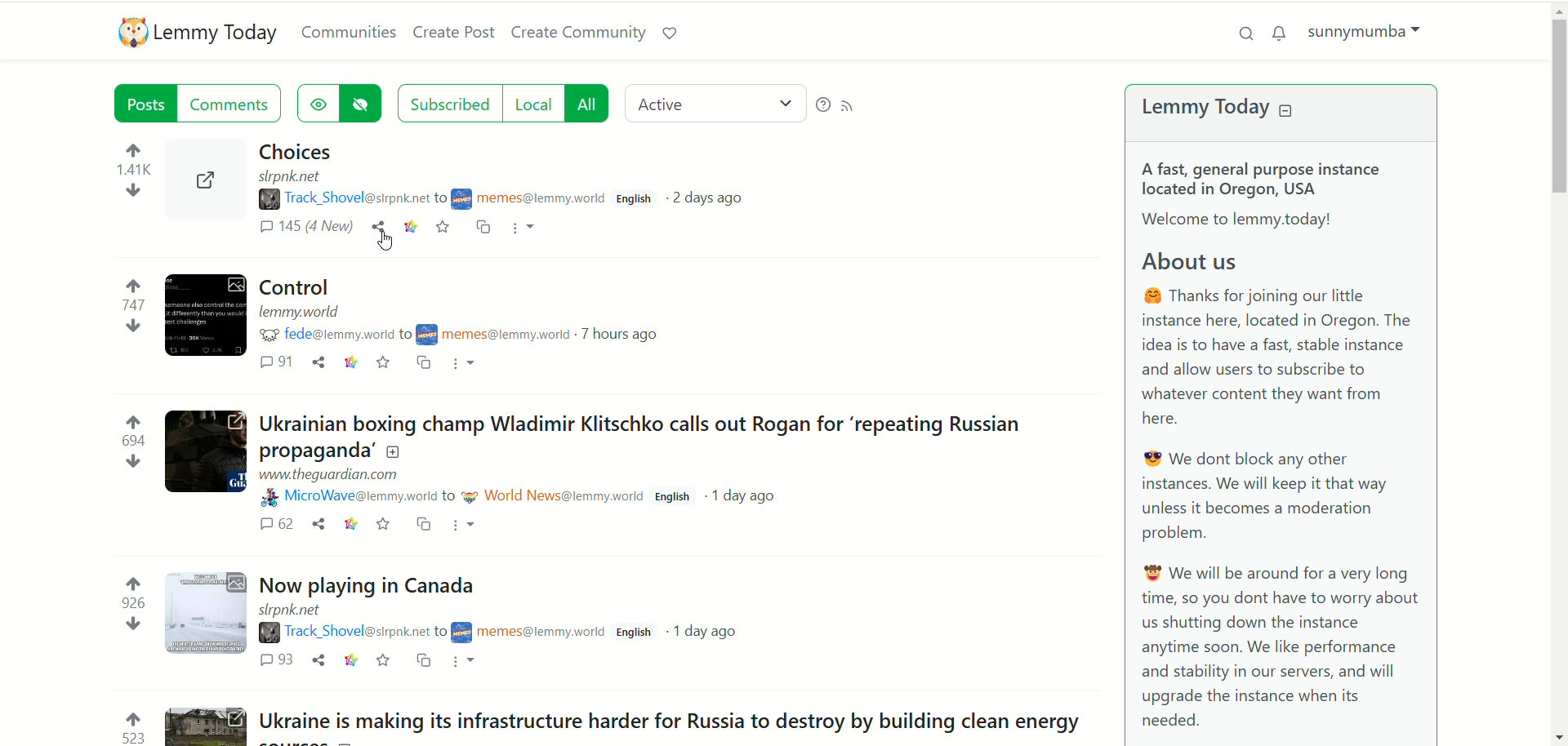 This screenshot has width=1568, height=746. Describe the element at coordinates (348, 659) in the screenshot. I see `link` at that location.